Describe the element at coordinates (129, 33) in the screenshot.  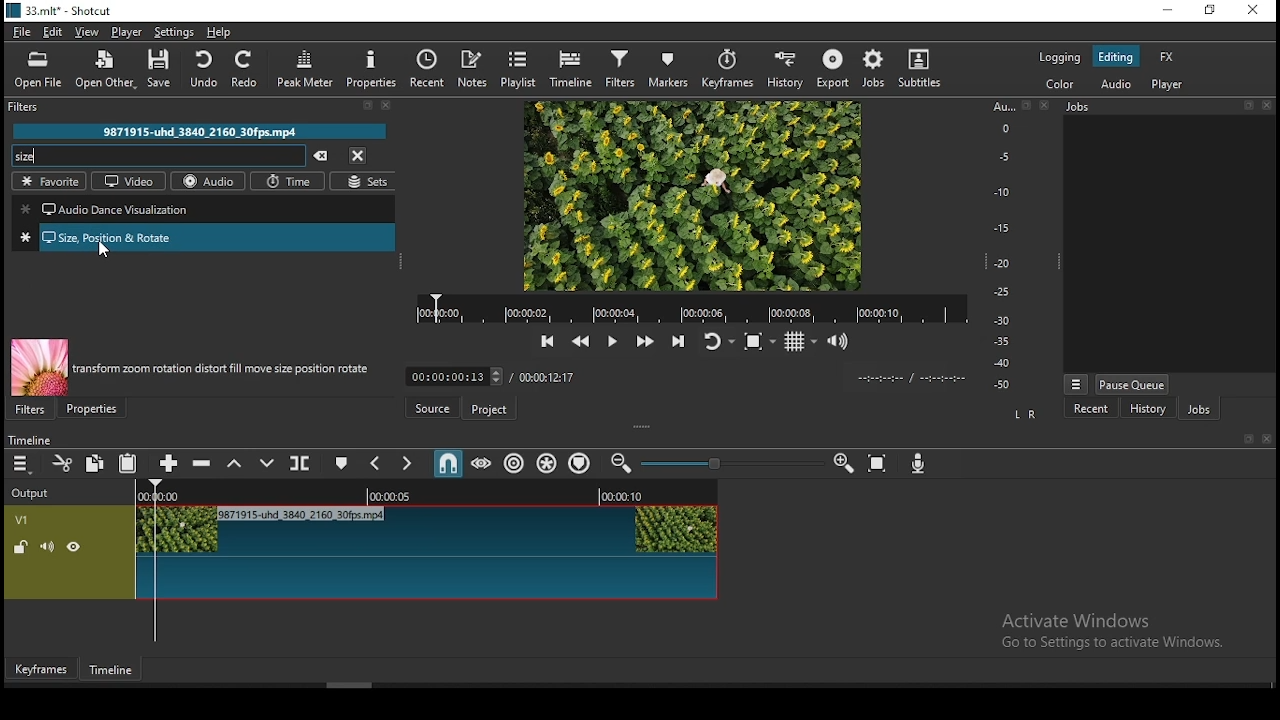
I see `player` at that location.